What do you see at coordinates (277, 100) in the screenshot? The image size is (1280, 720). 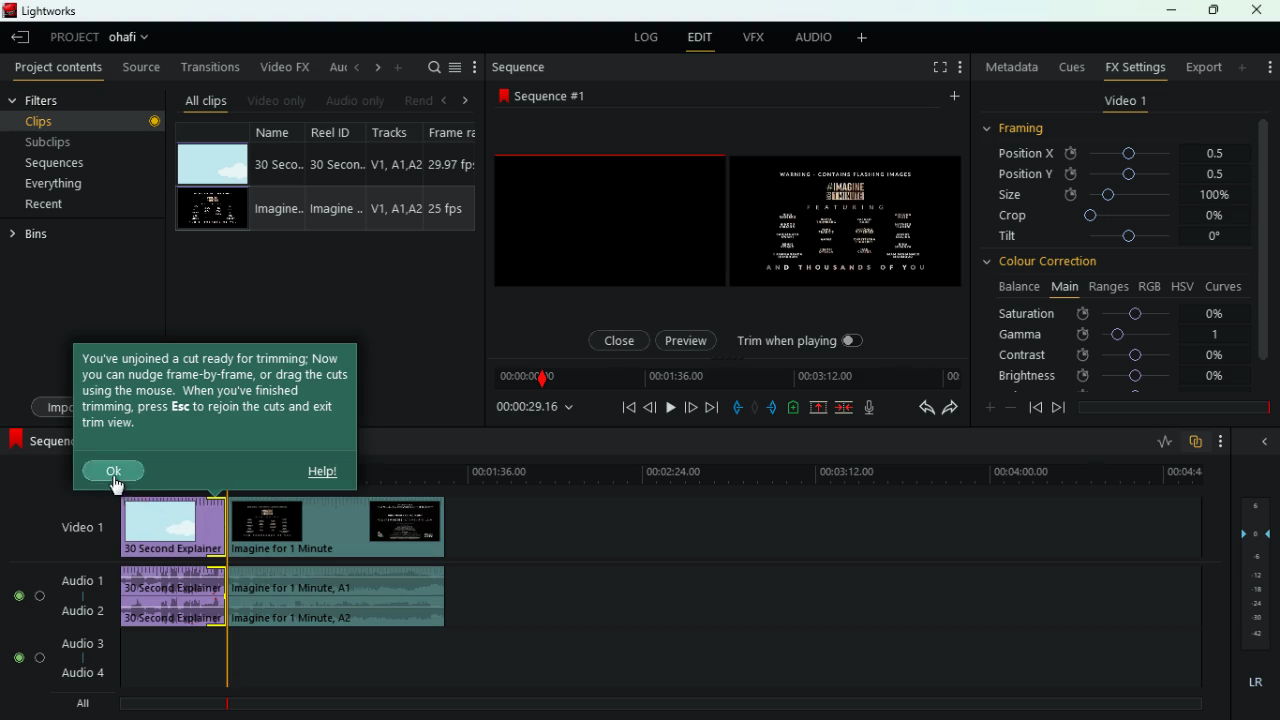 I see `video only` at bounding box center [277, 100].